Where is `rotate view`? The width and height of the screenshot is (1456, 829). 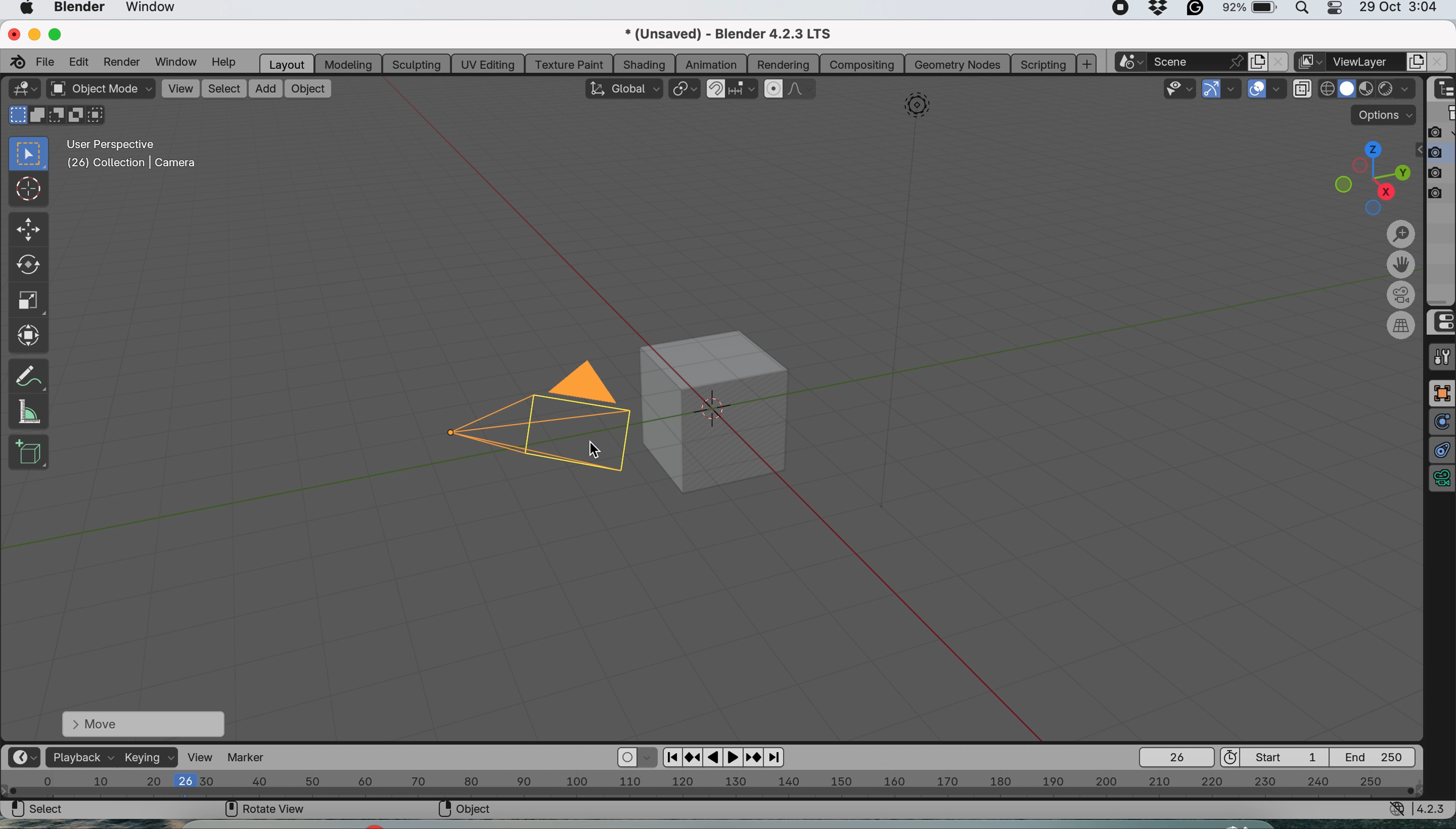
rotate view is located at coordinates (265, 811).